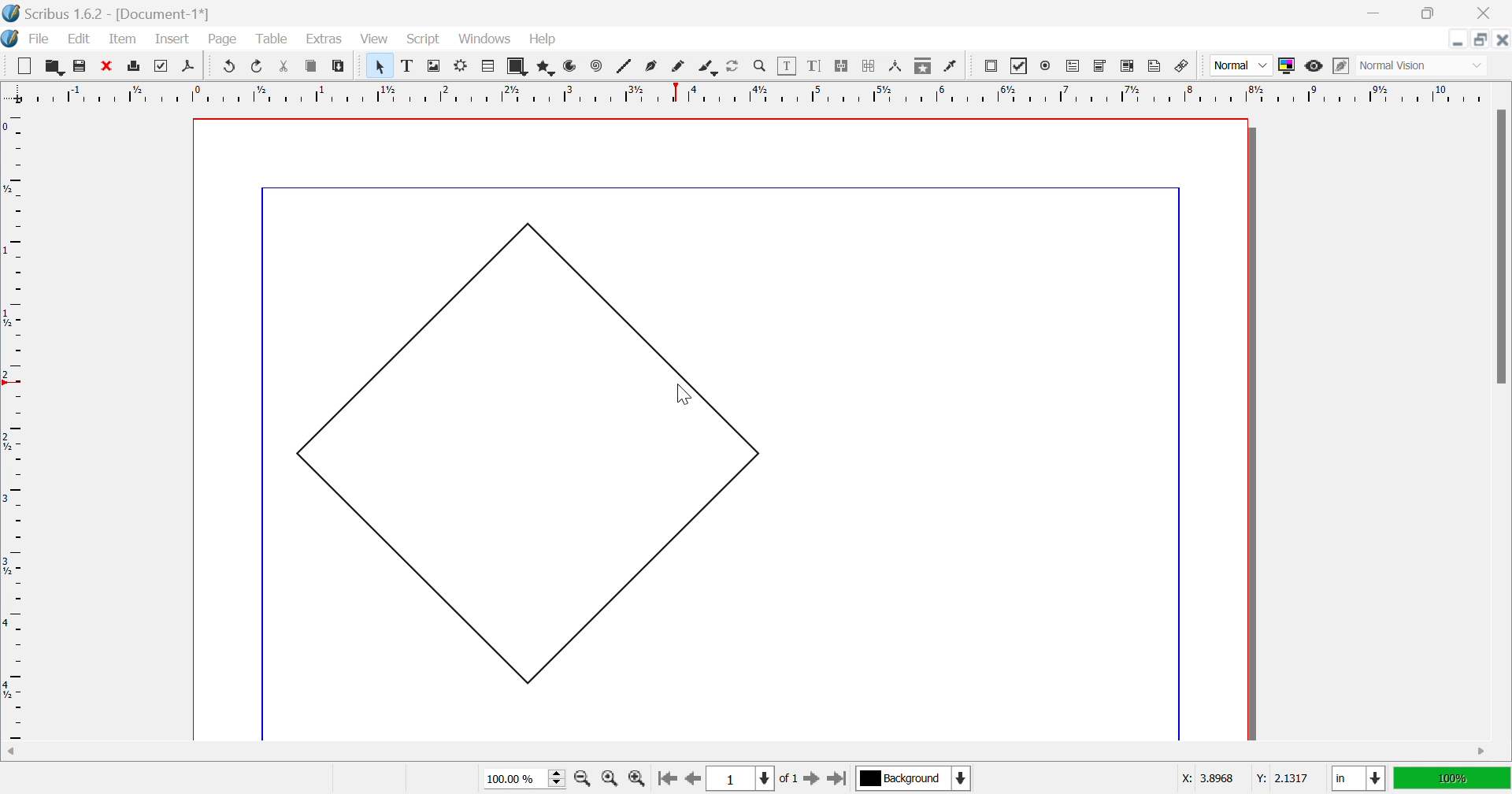 The height and width of the screenshot is (794, 1512). I want to click on Eye dropper, so click(952, 66).